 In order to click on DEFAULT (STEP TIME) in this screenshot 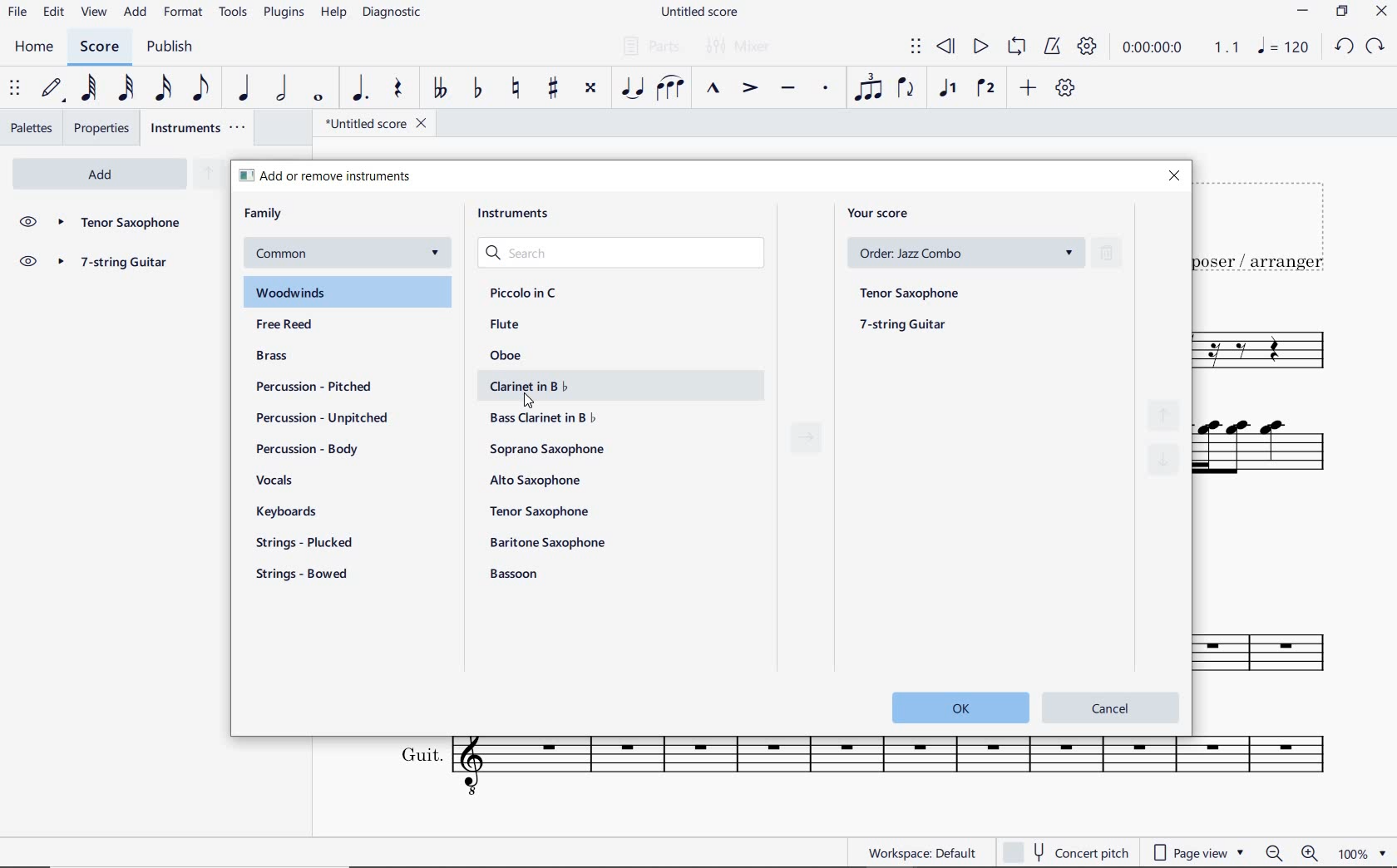, I will do `click(52, 90)`.